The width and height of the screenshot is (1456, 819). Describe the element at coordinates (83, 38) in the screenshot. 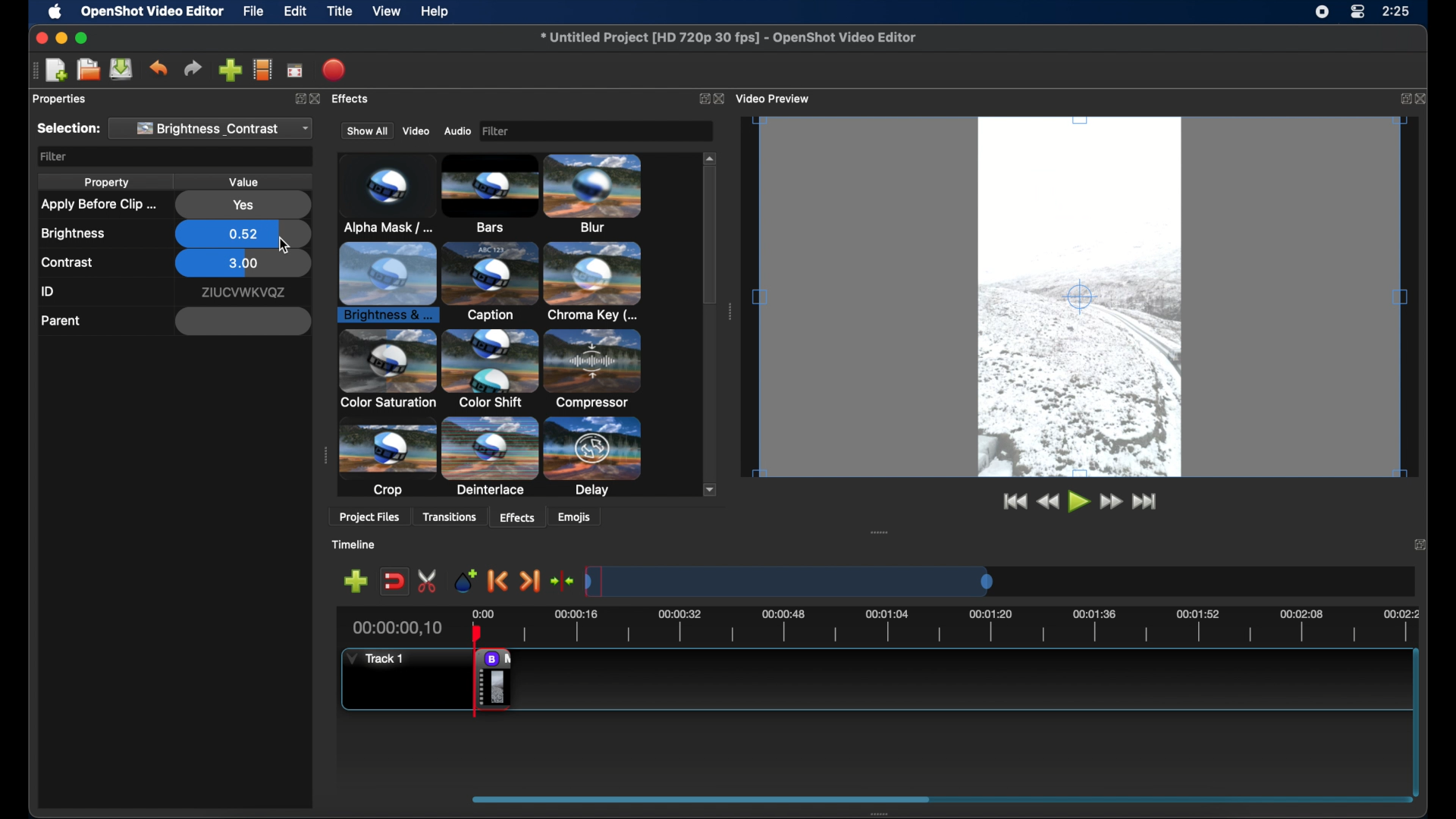

I see `maximize` at that location.